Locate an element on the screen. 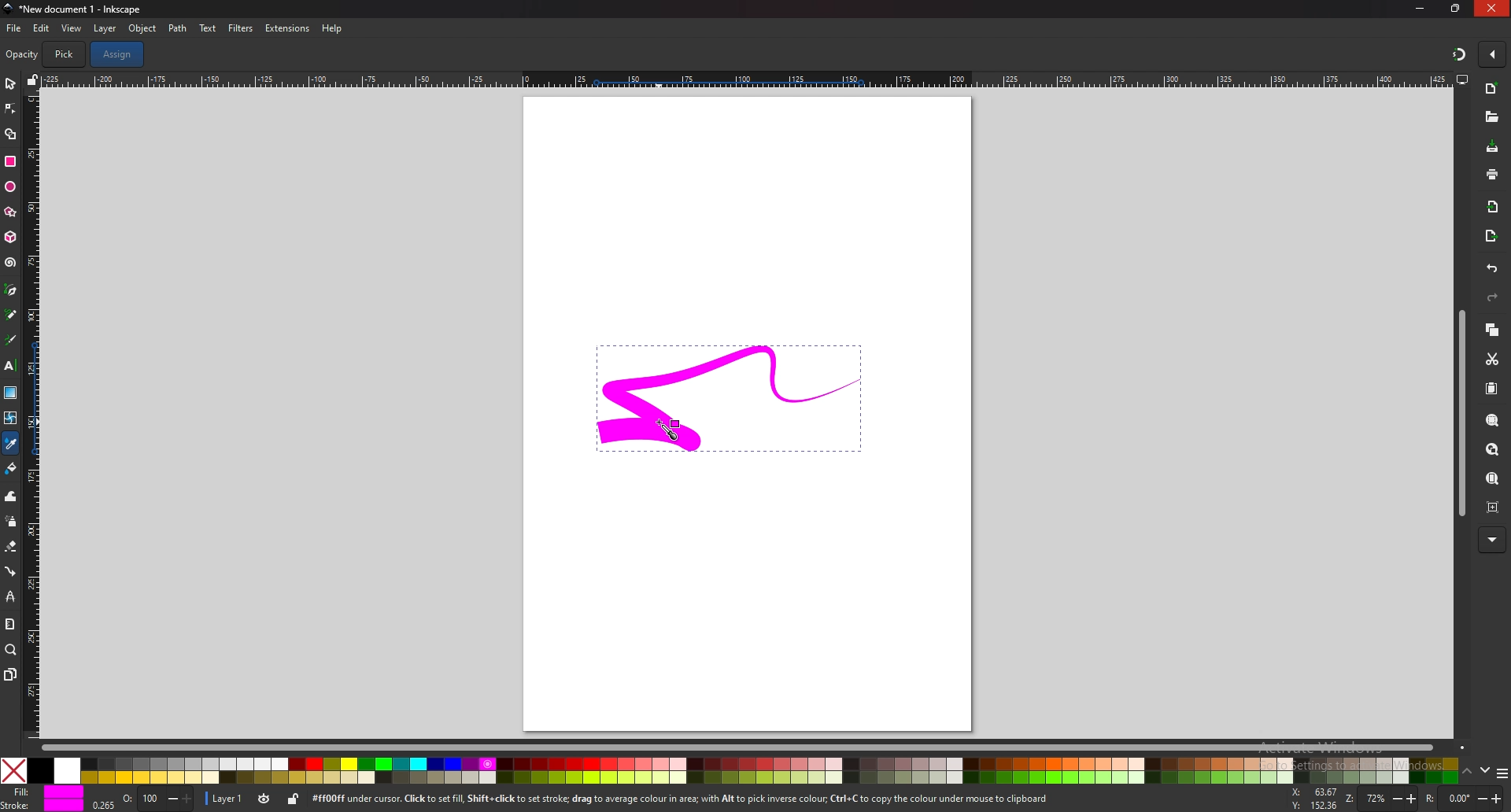  text is located at coordinates (209, 28).